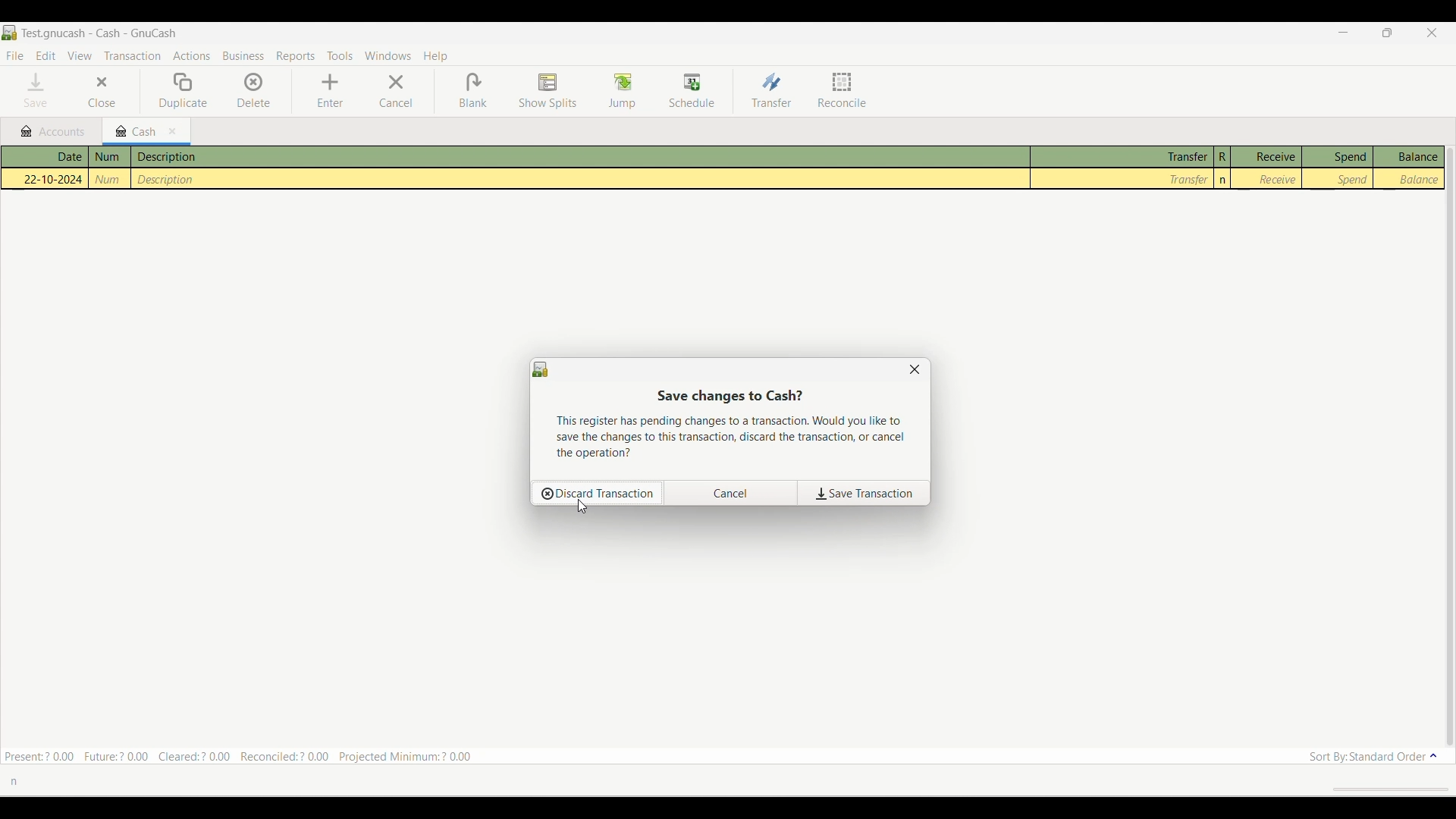 This screenshot has width=1456, height=819. What do you see at coordinates (548, 91) in the screenshot?
I see `Show splits` at bounding box center [548, 91].